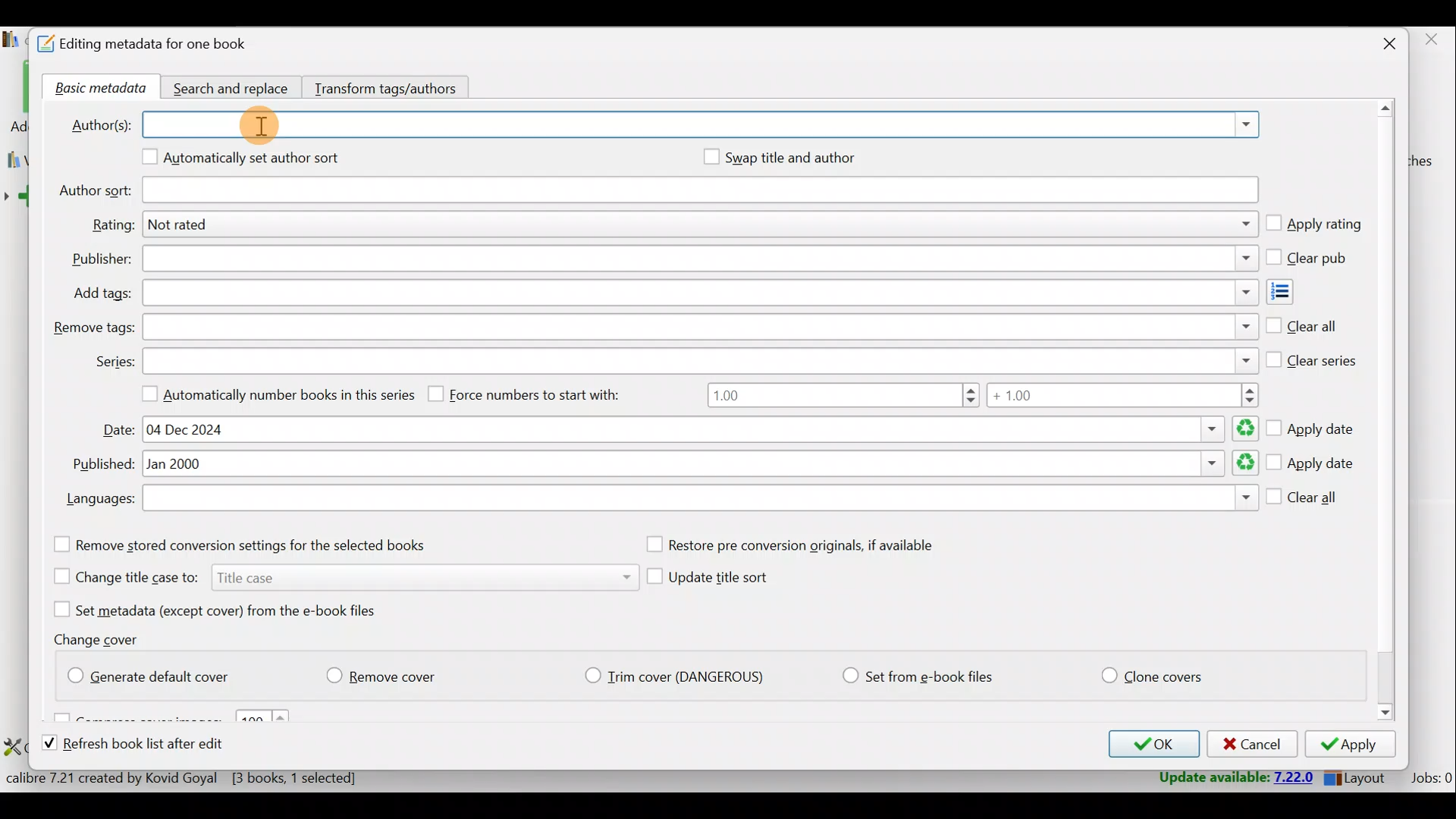  I want to click on Scroll bar, so click(1387, 413).